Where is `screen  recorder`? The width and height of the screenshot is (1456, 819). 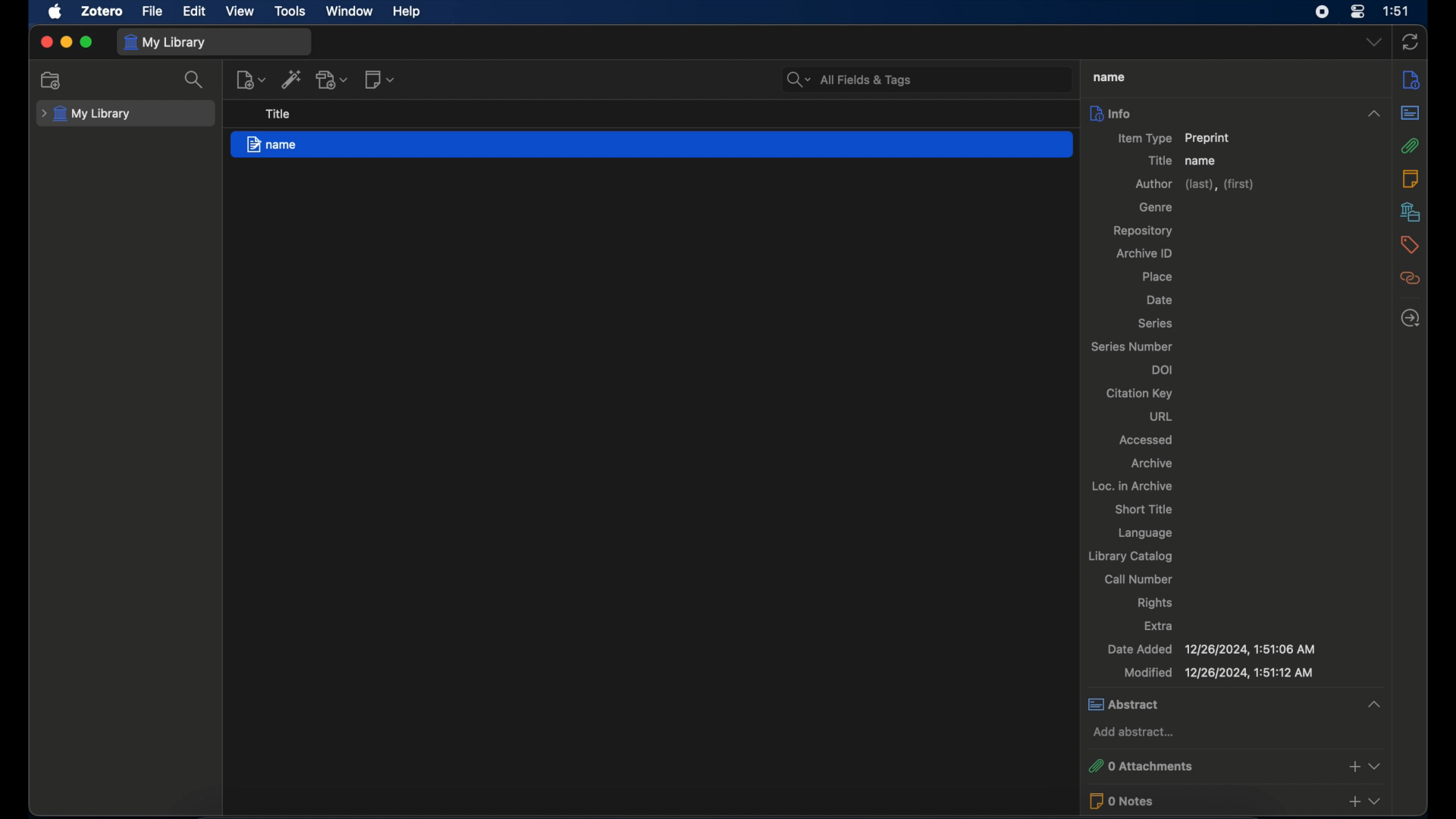
screen  recorder is located at coordinates (1321, 12).